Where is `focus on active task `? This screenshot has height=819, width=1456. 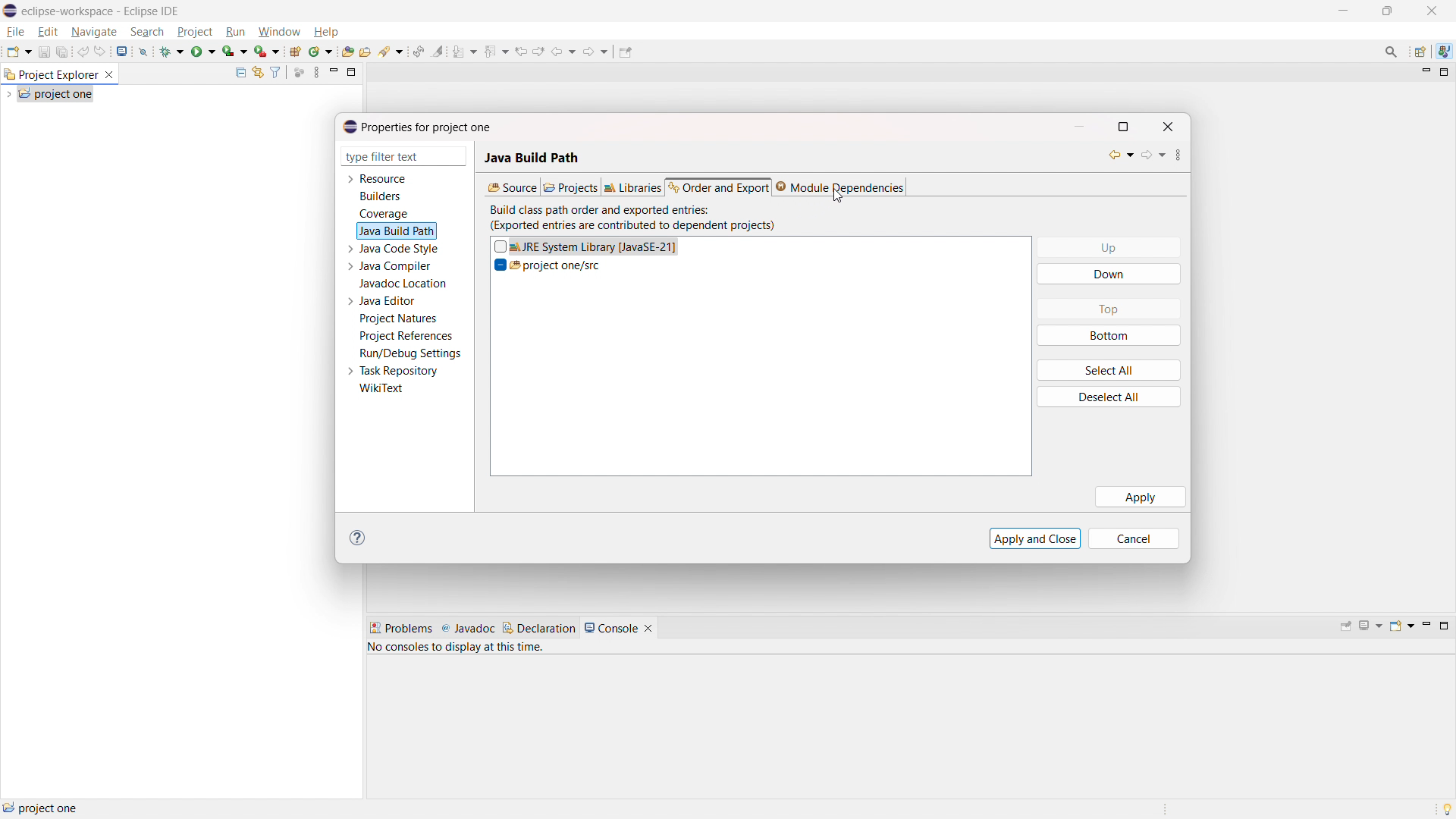 focus on active task  is located at coordinates (300, 73).